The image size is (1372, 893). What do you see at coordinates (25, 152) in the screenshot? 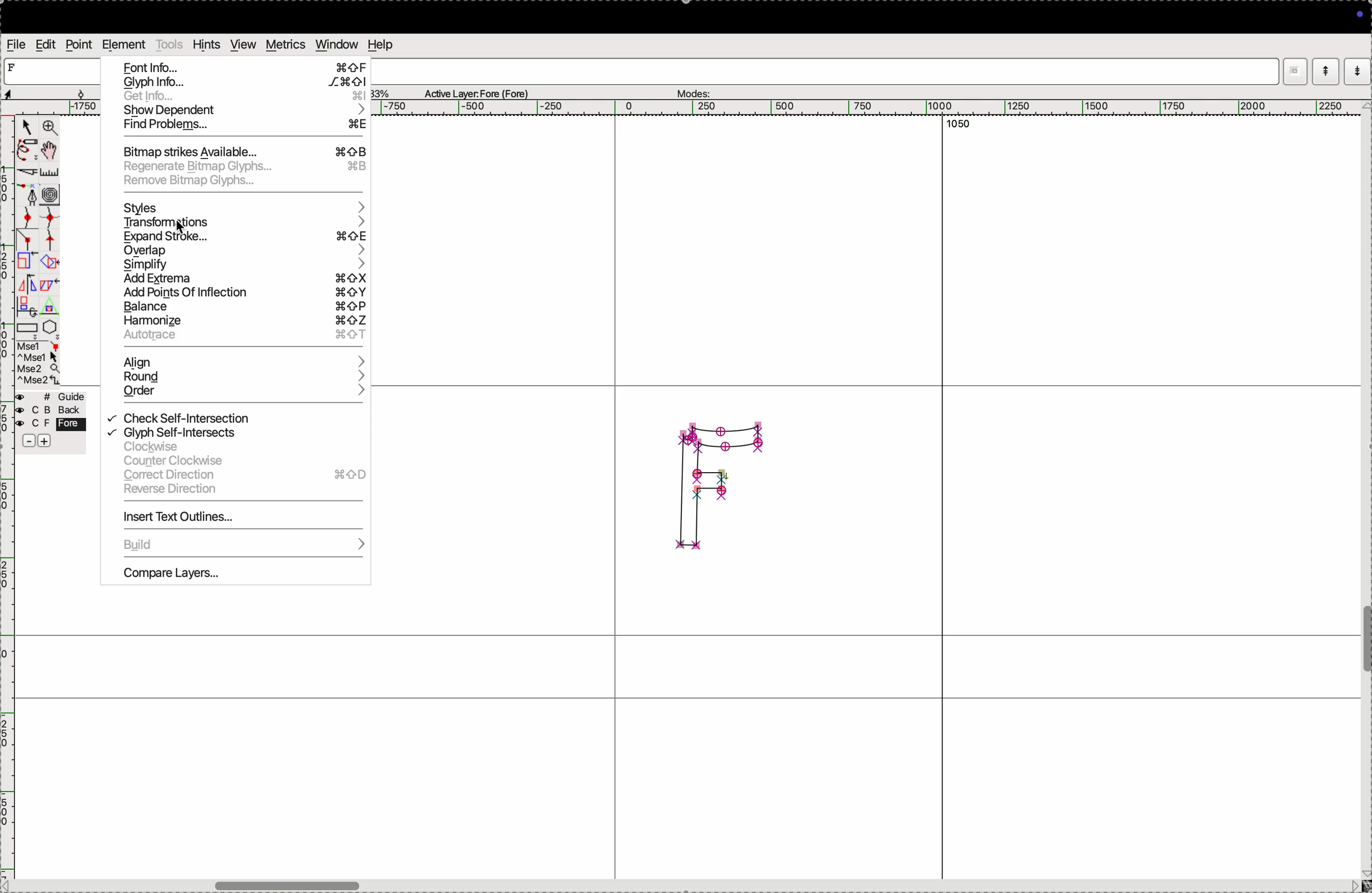
I see `pen` at bounding box center [25, 152].